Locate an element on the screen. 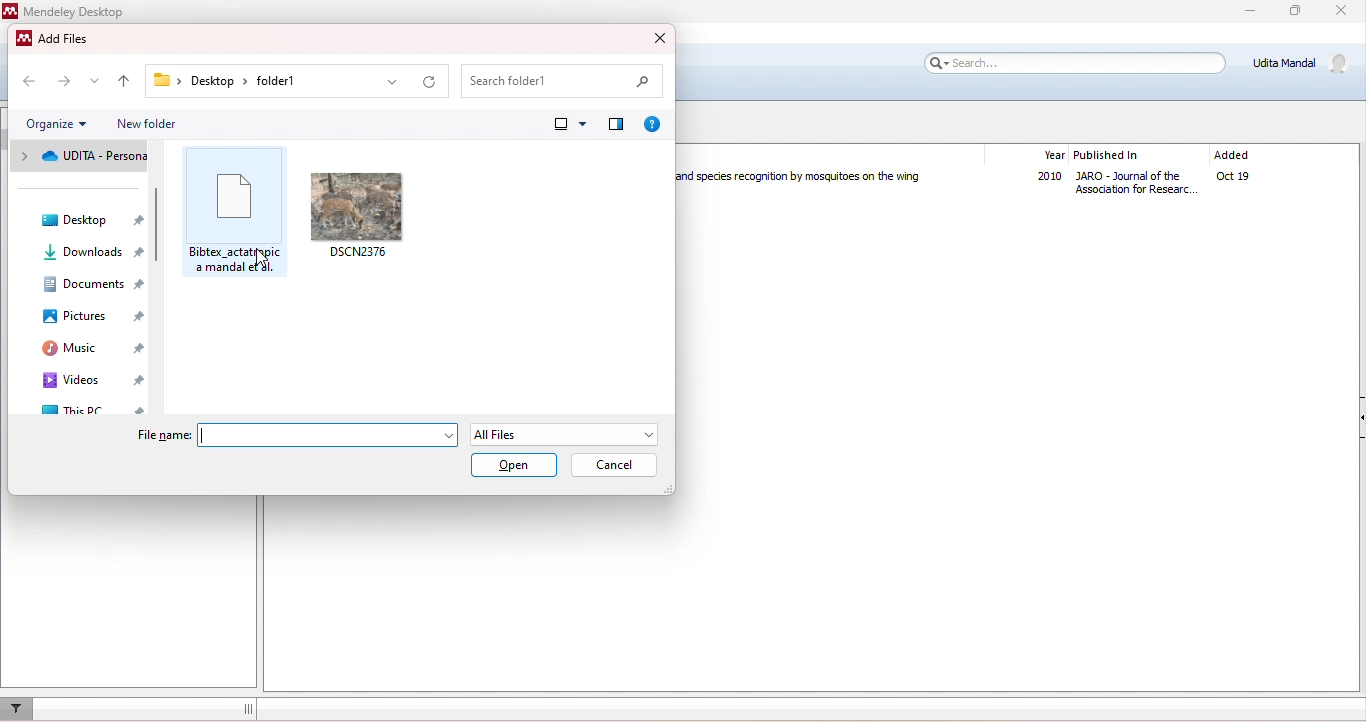  Change dimension of window is located at coordinates (668, 490).